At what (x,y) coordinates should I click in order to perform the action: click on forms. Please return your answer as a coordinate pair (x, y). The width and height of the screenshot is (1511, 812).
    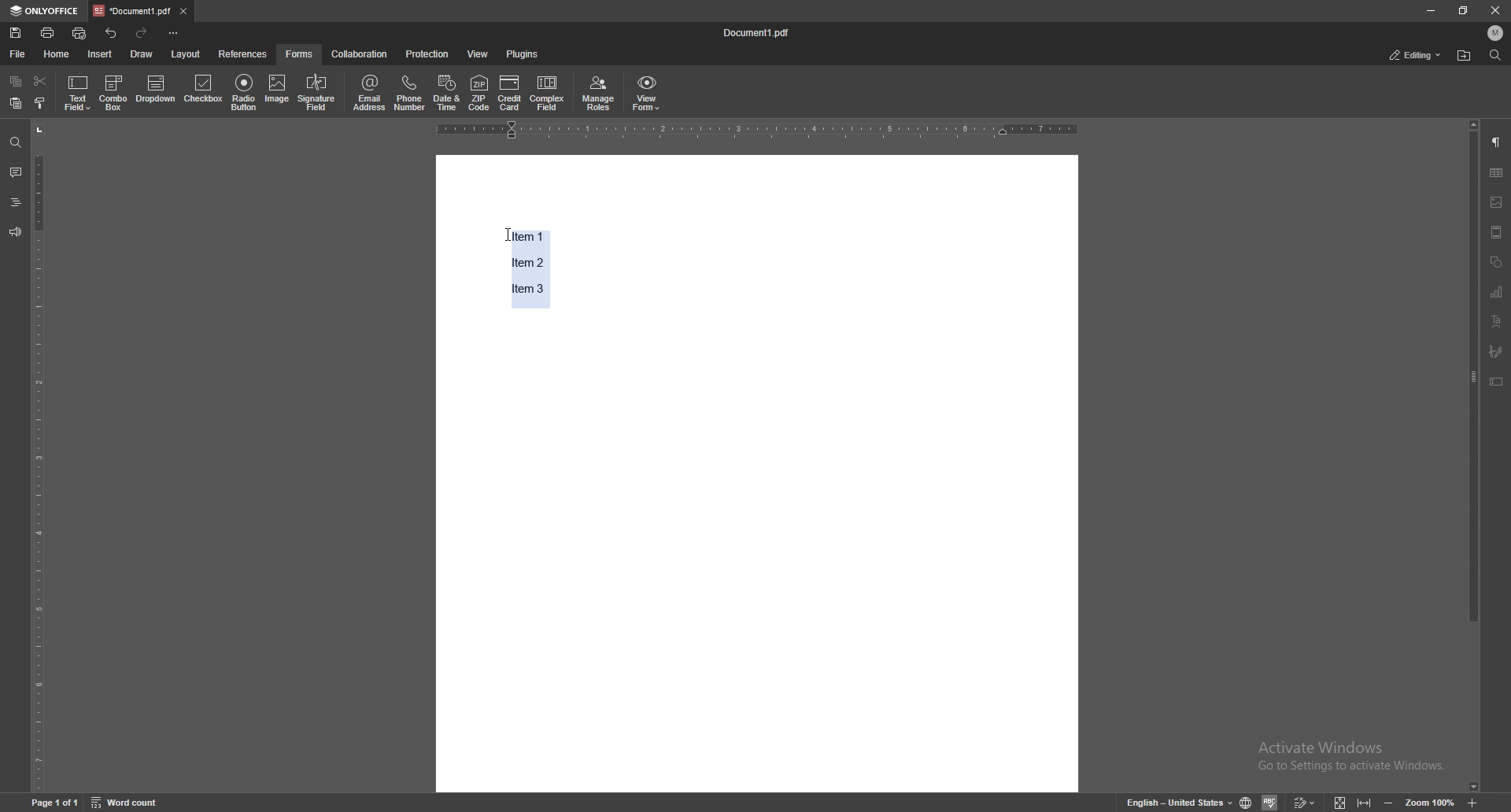
    Looking at the image, I should click on (300, 54).